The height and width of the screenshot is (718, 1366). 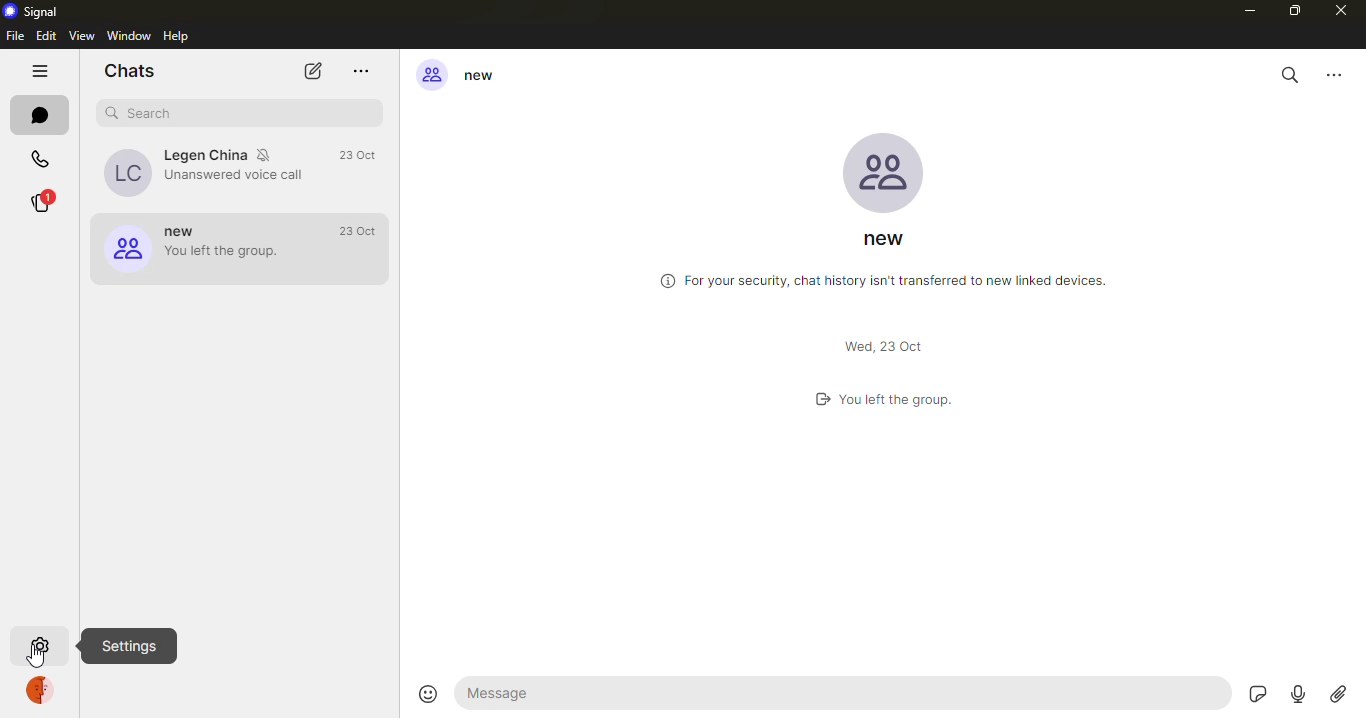 I want to click on attach, so click(x=1339, y=695).